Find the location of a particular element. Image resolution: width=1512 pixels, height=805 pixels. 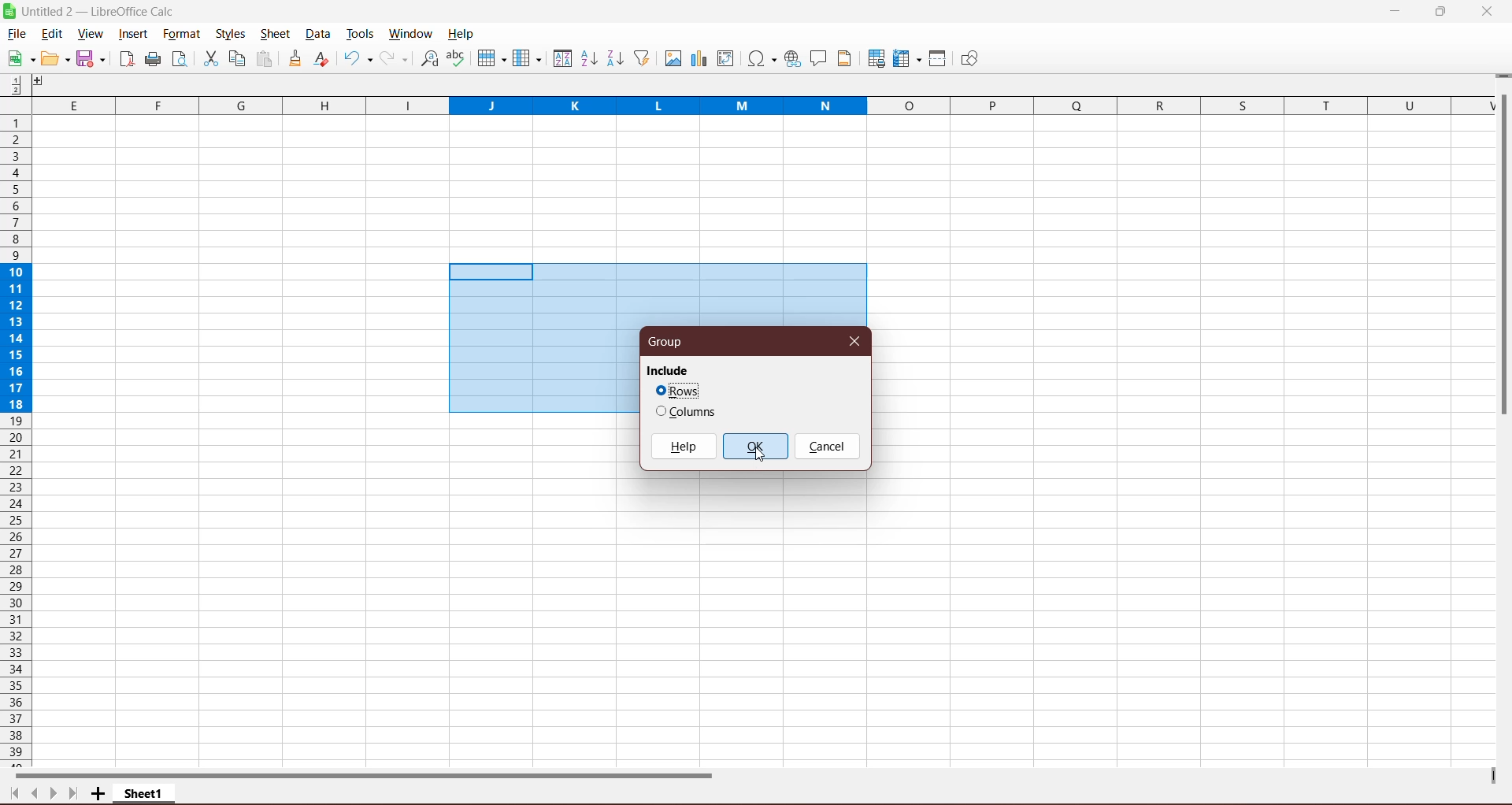

Headers and Footers is located at coordinates (847, 58).